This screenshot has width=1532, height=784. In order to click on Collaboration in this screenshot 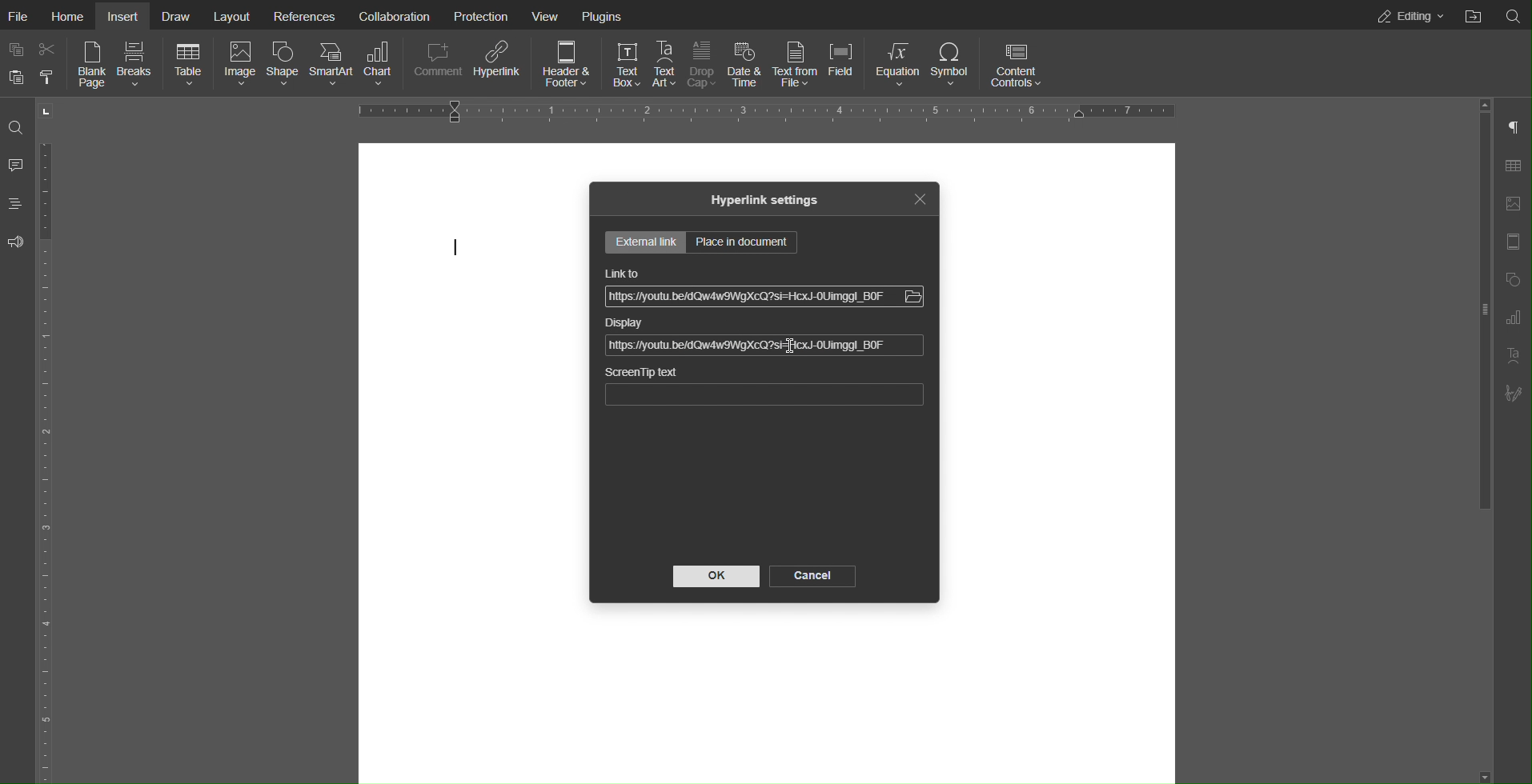, I will do `click(393, 14)`.